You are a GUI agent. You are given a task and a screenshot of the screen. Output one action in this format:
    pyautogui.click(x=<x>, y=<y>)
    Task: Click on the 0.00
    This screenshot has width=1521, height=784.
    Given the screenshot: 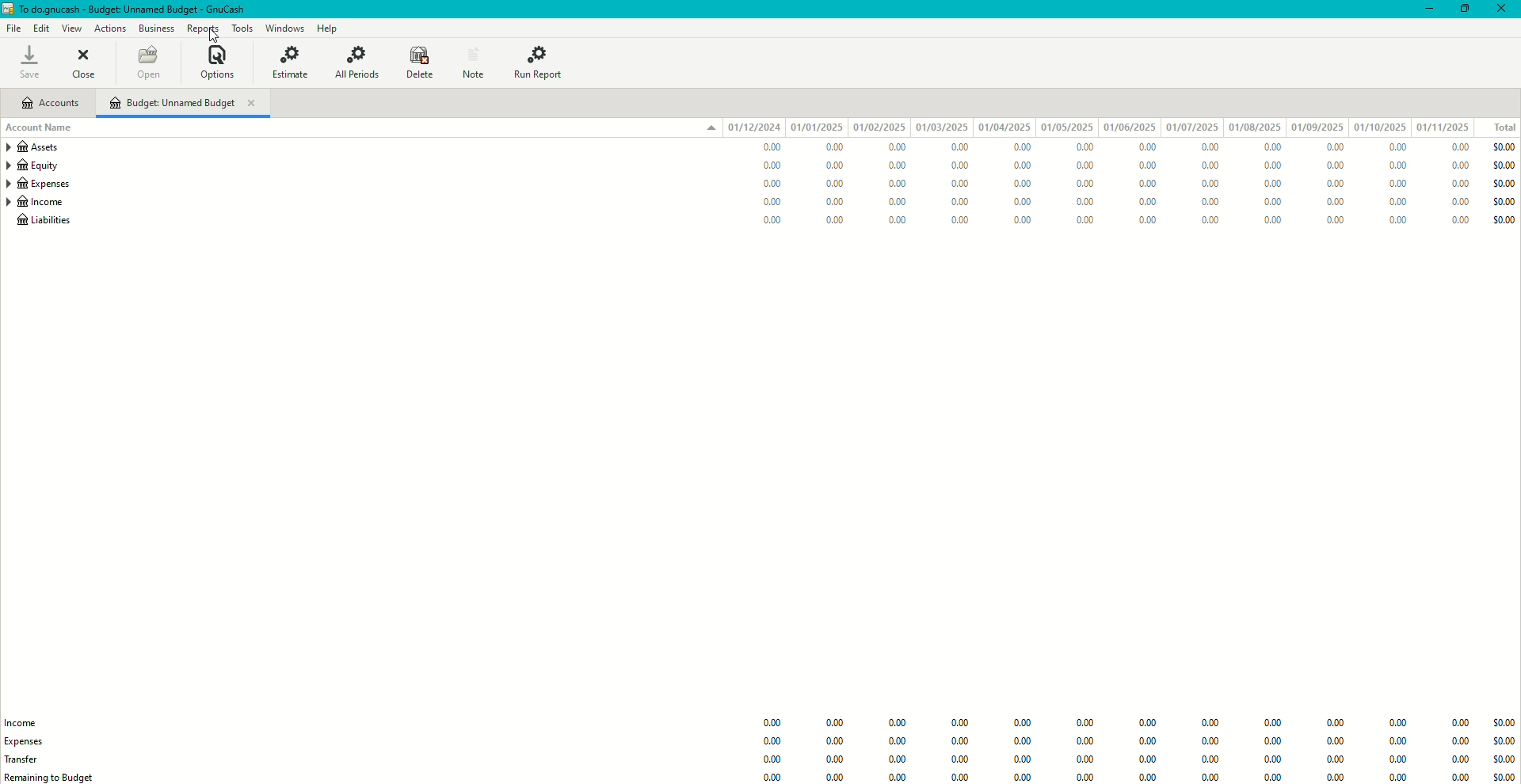 What is the action you would take?
    pyautogui.click(x=1024, y=222)
    